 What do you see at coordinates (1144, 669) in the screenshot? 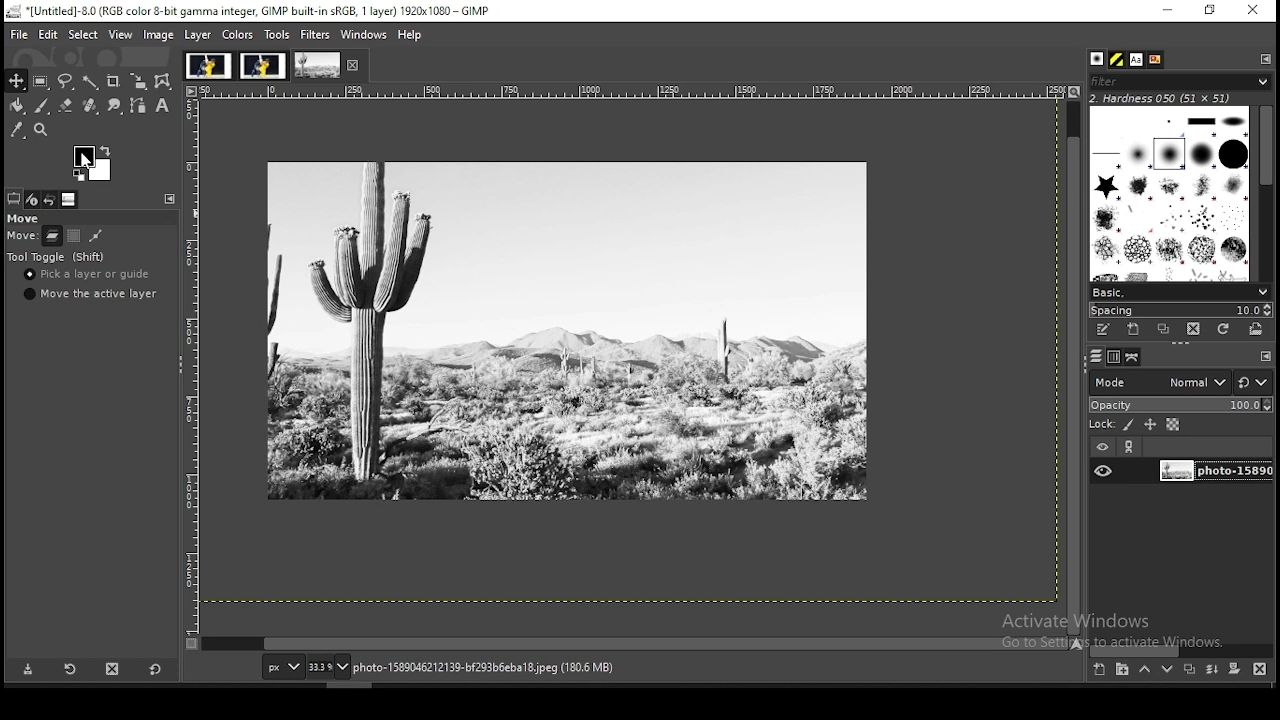
I see `move layer one step up` at bounding box center [1144, 669].